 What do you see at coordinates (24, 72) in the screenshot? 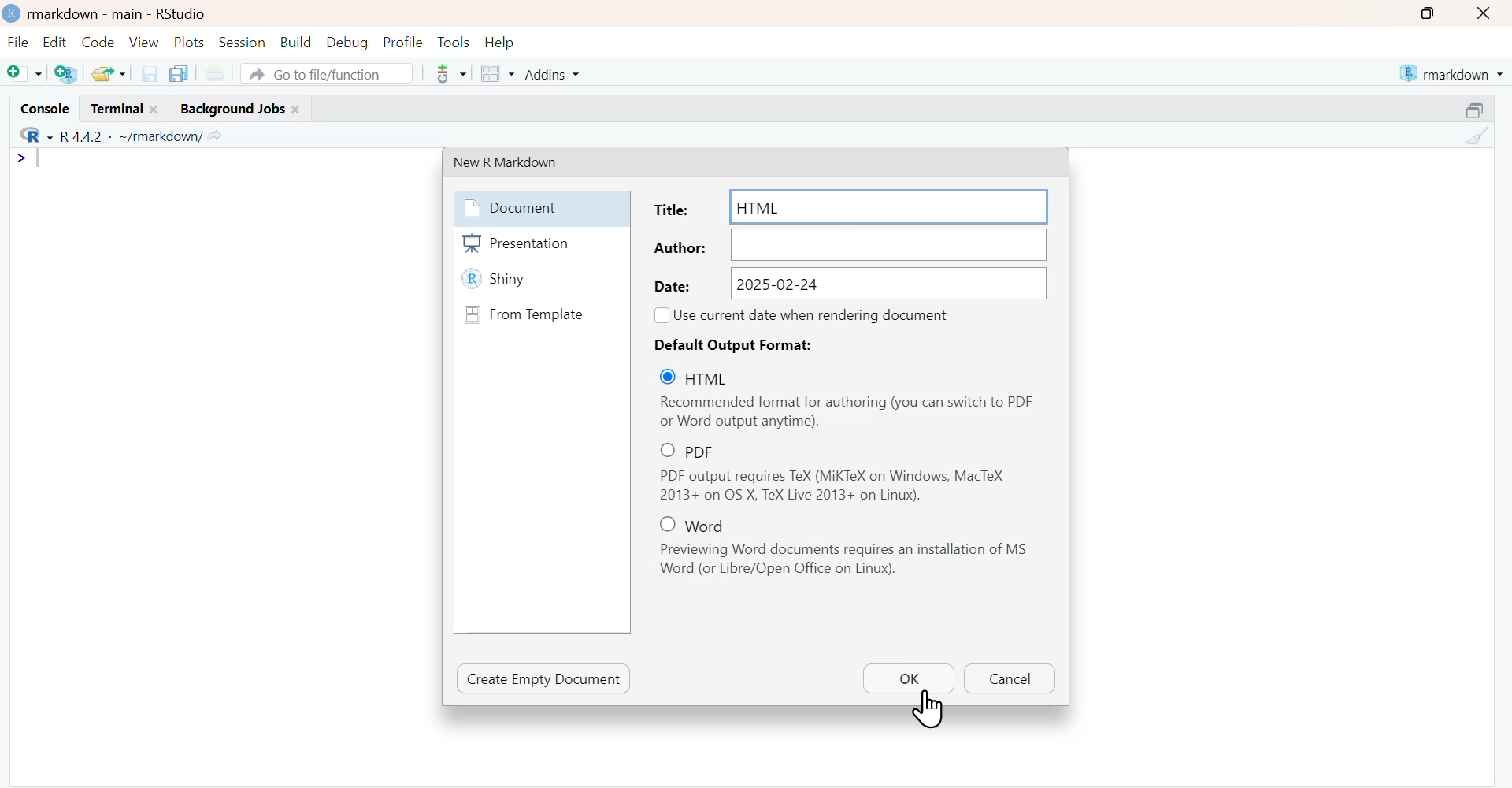
I see `New file` at bounding box center [24, 72].